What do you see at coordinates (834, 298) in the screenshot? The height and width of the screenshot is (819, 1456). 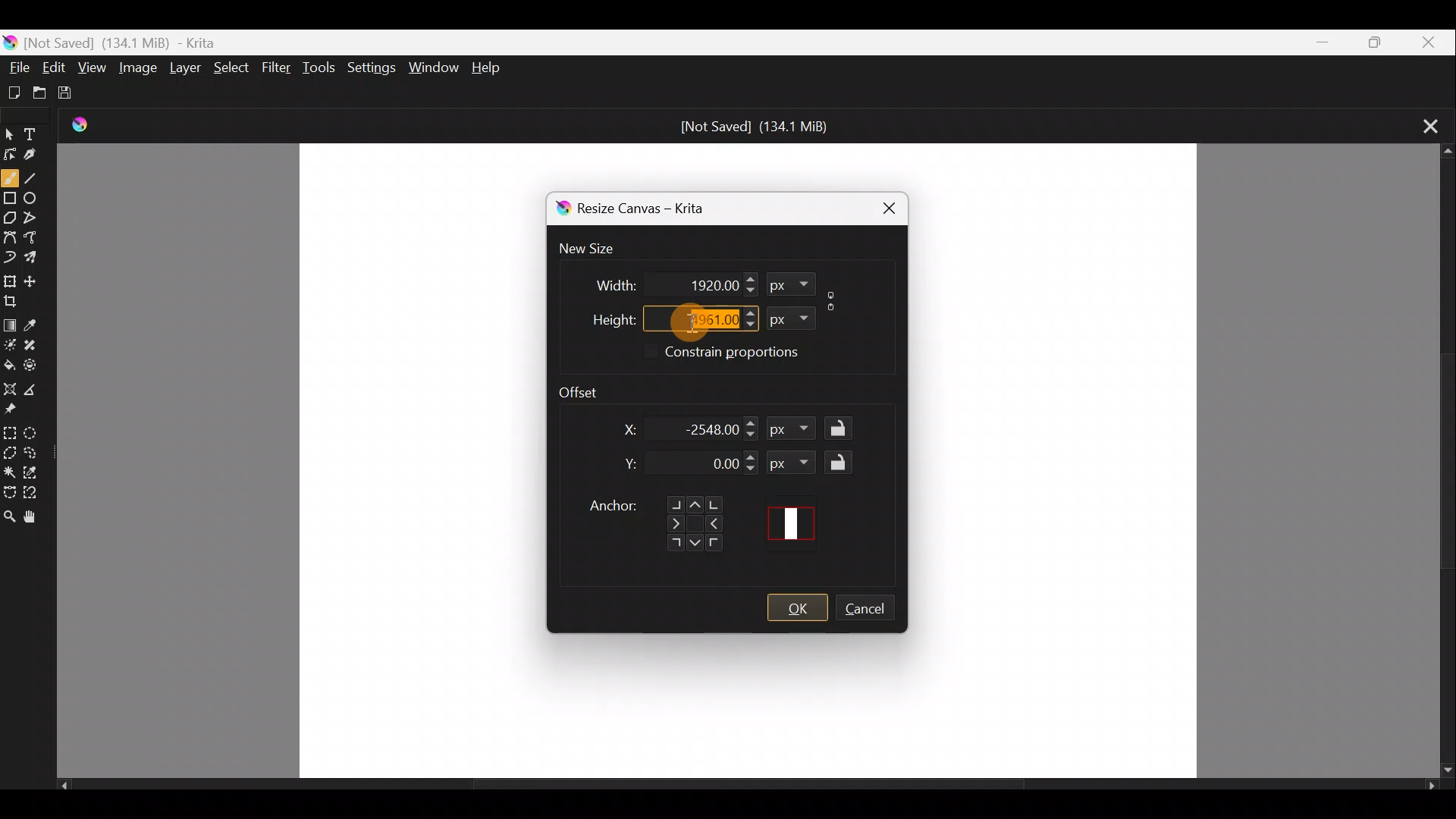 I see `Constrain proportions` at bounding box center [834, 298].